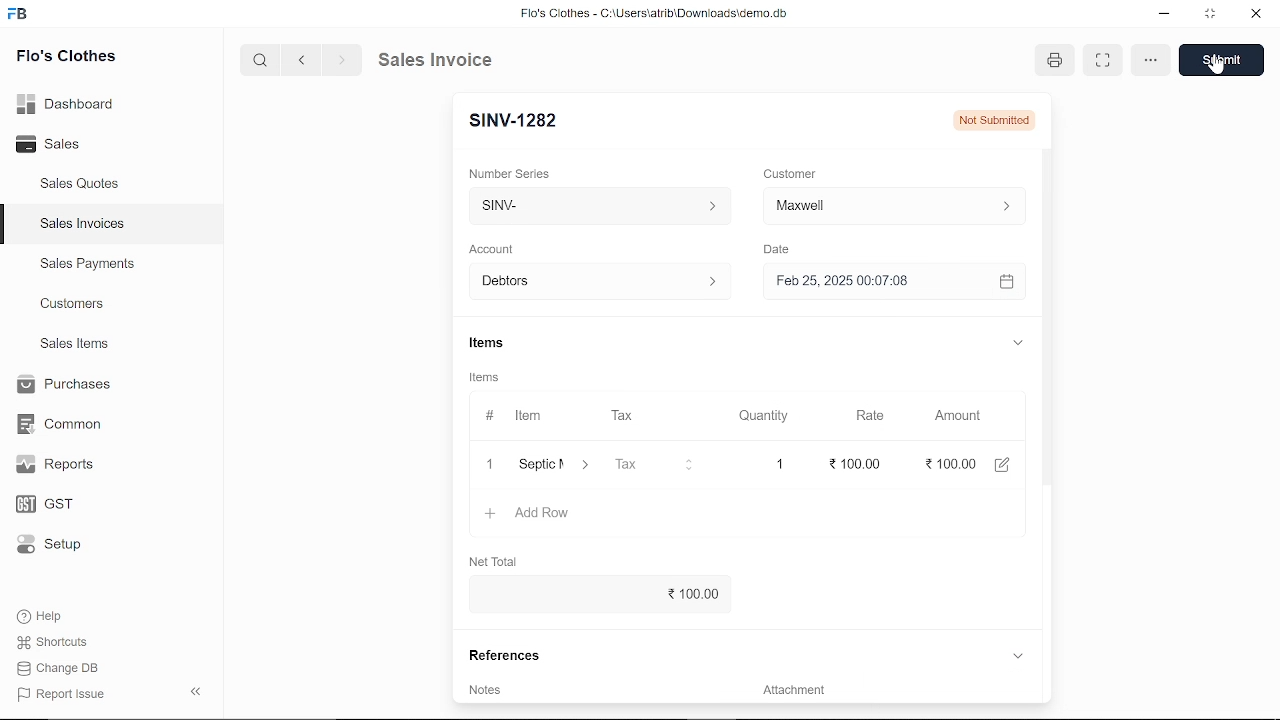 The height and width of the screenshot is (720, 1280). I want to click on 100, so click(948, 464).